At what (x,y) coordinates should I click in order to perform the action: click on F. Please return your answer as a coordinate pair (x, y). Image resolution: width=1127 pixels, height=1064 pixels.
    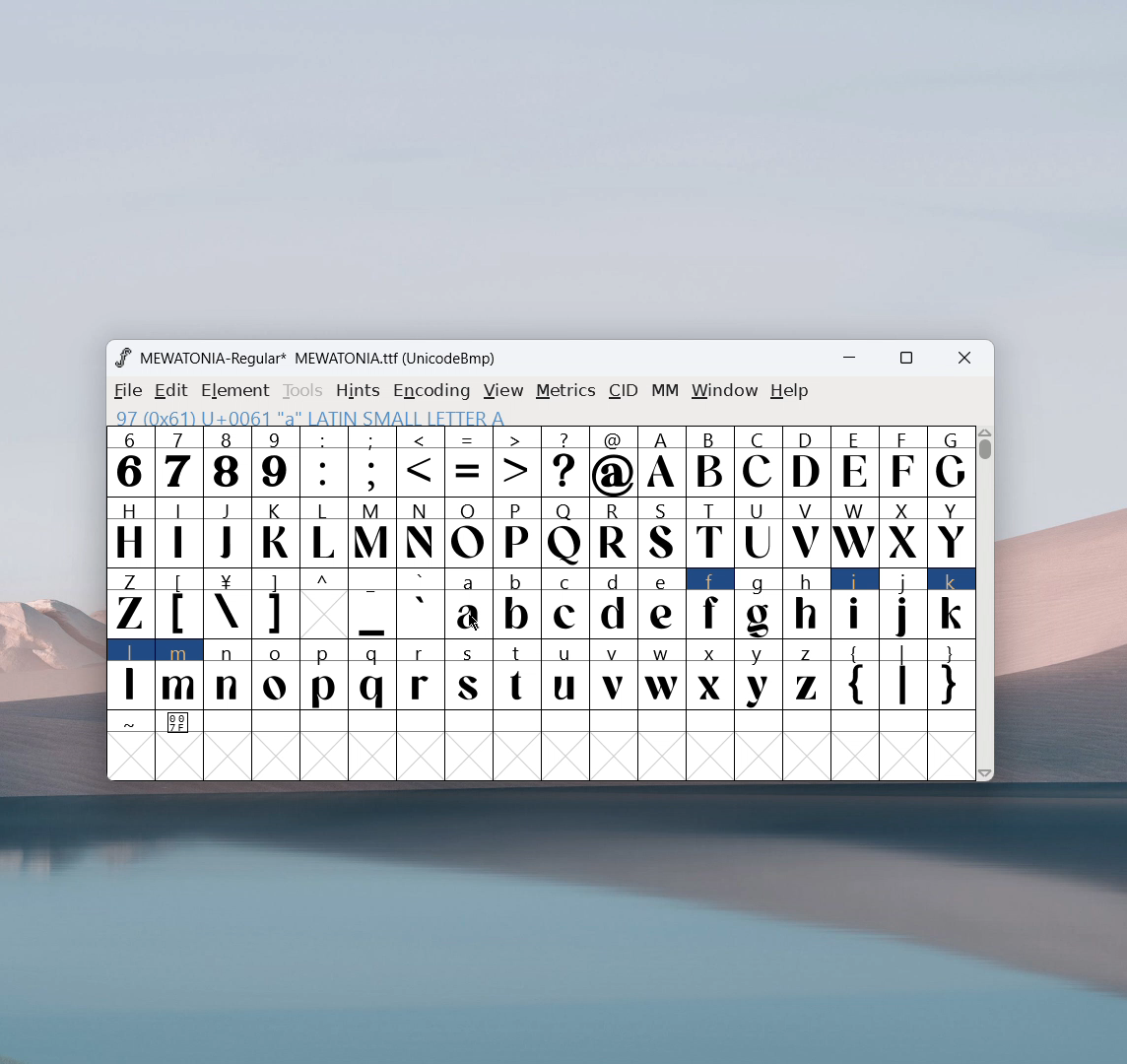
    Looking at the image, I should click on (901, 460).